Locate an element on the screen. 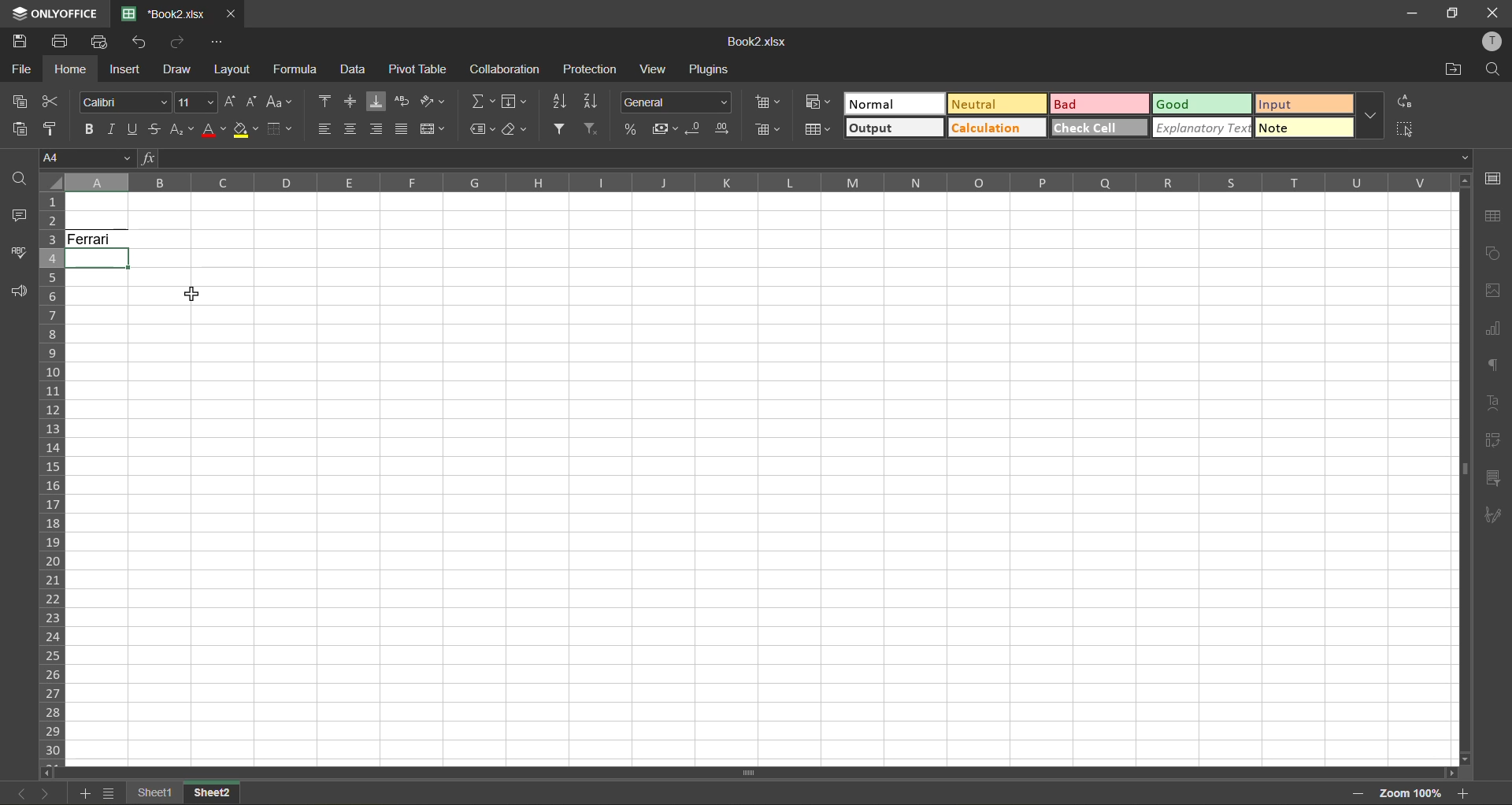  data is located at coordinates (356, 69).